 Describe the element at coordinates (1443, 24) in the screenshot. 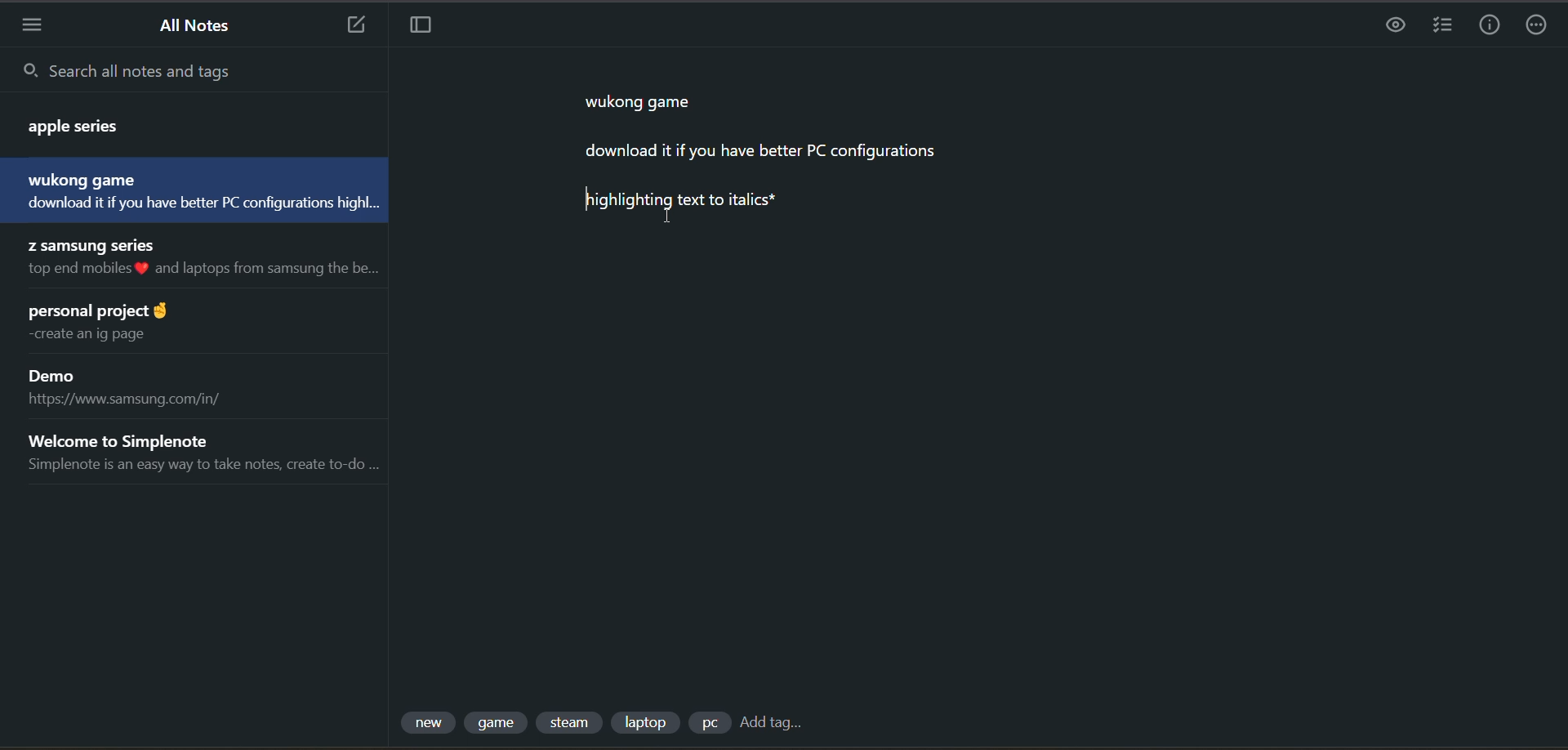

I see `insert checklist` at that location.